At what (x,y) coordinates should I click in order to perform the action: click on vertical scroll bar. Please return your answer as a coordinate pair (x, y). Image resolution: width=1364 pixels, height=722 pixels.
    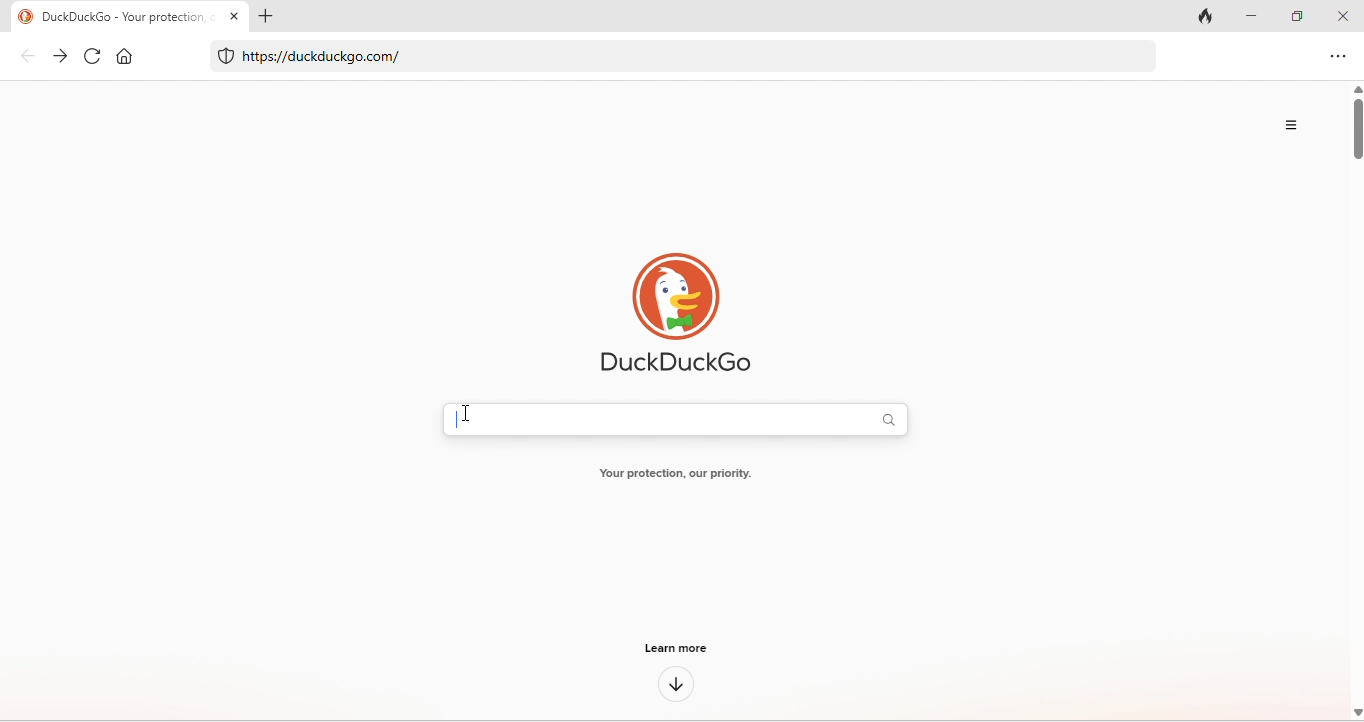
    Looking at the image, I should click on (1355, 401).